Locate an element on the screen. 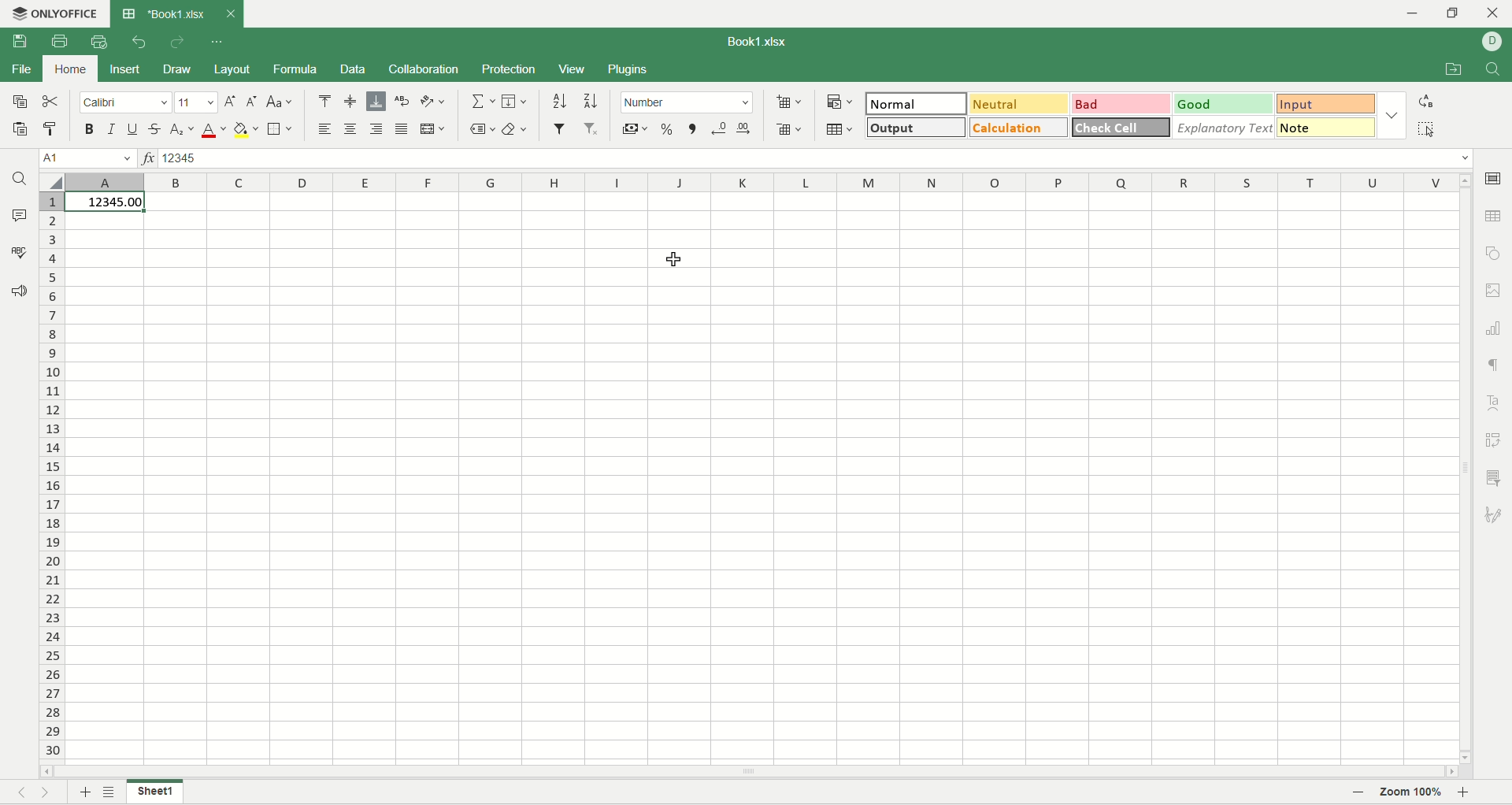 Image resolution: width=1512 pixels, height=805 pixels. increase decimal is located at coordinates (744, 131).